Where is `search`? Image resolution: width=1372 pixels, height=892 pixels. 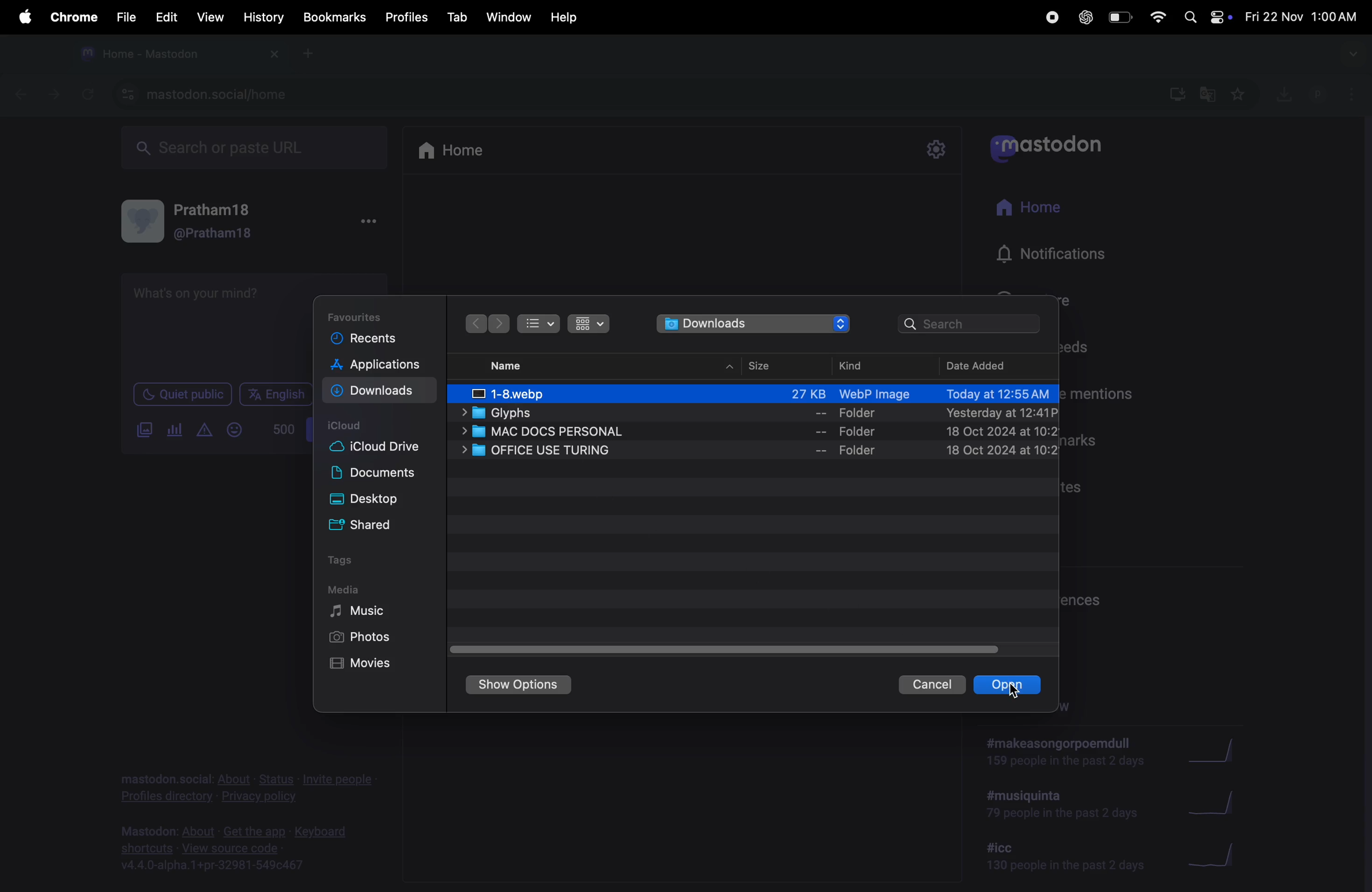
search is located at coordinates (973, 325).